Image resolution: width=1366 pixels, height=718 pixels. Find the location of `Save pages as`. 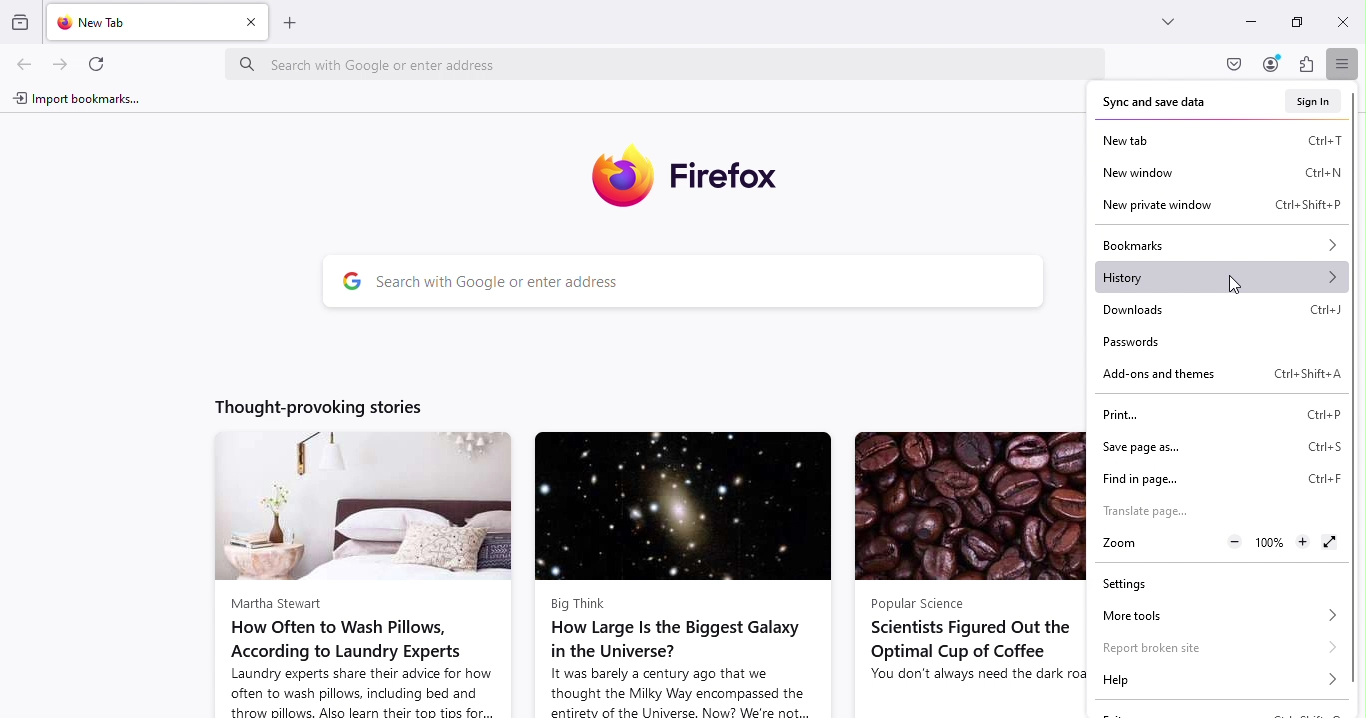

Save pages as is located at coordinates (1221, 447).